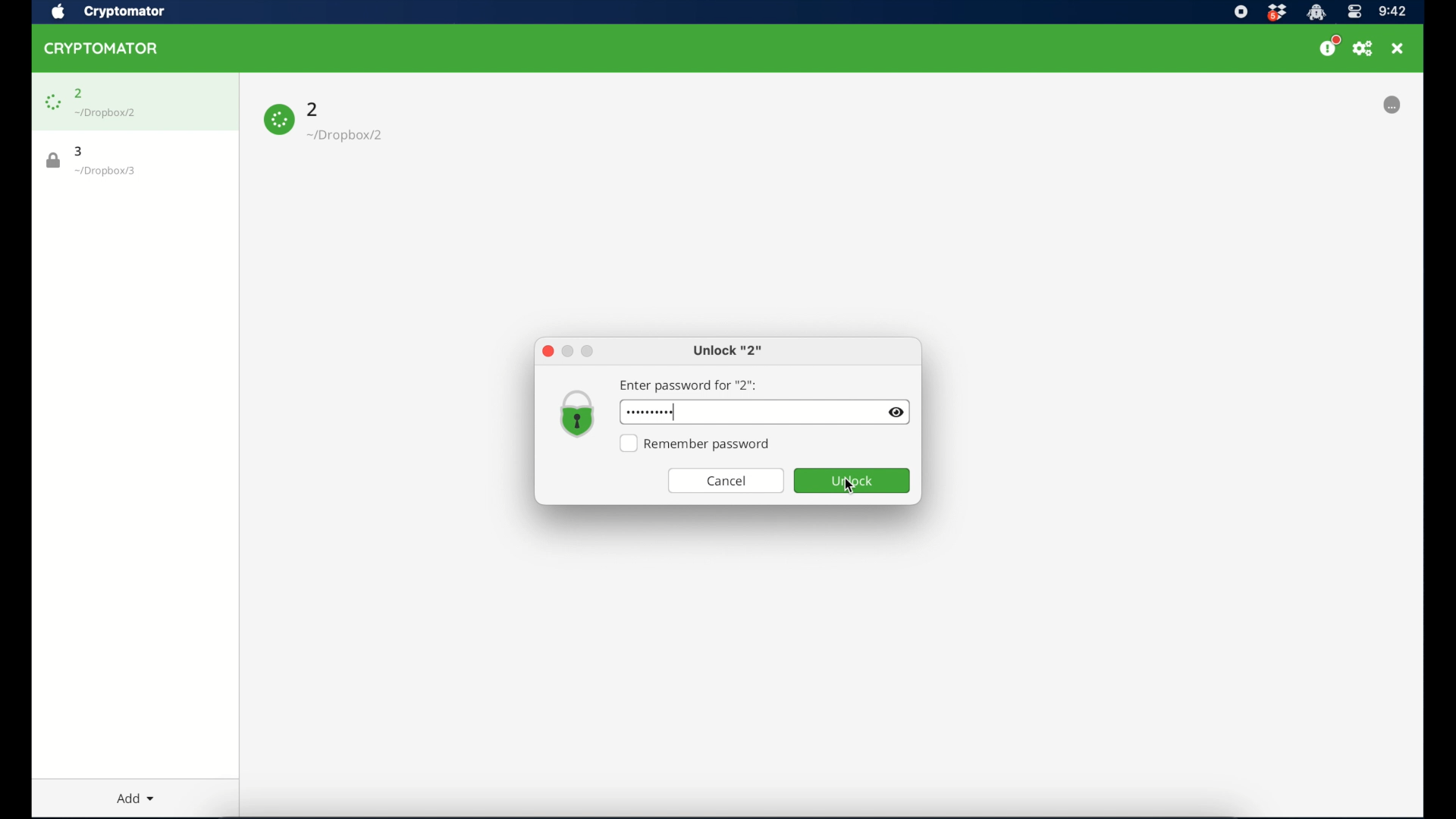 This screenshot has width=1456, height=819. Describe the element at coordinates (347, 136) in the screenshot. I see `-/Dropbox/2` at that location.